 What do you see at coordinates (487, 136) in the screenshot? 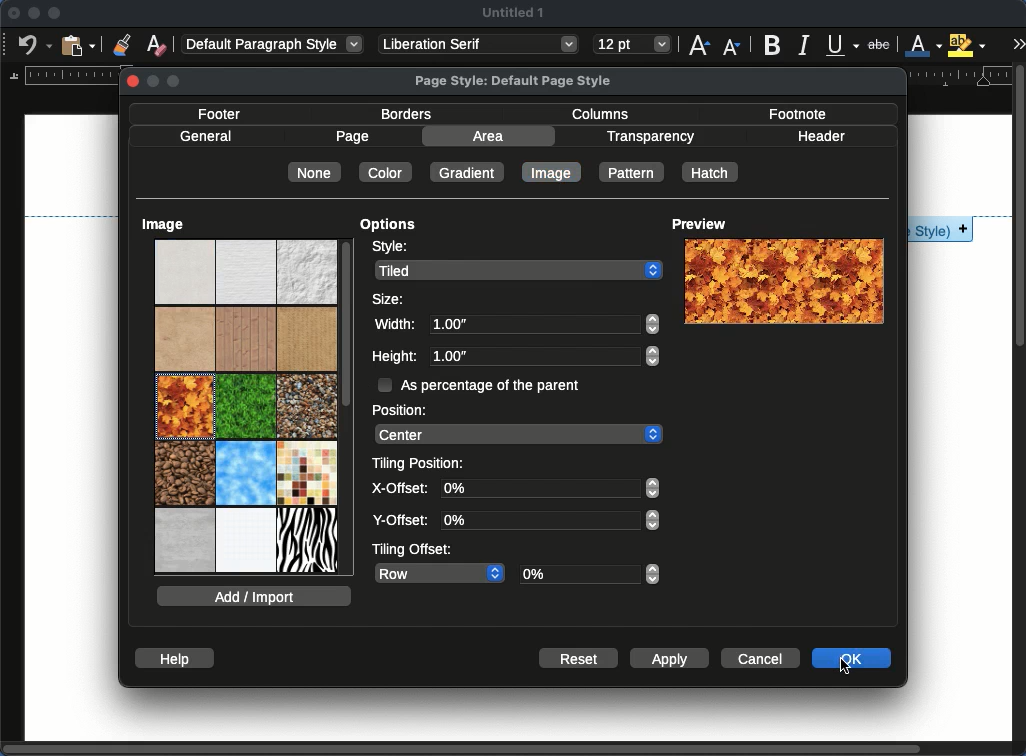
I see `area` at bounding box center [487, 136].